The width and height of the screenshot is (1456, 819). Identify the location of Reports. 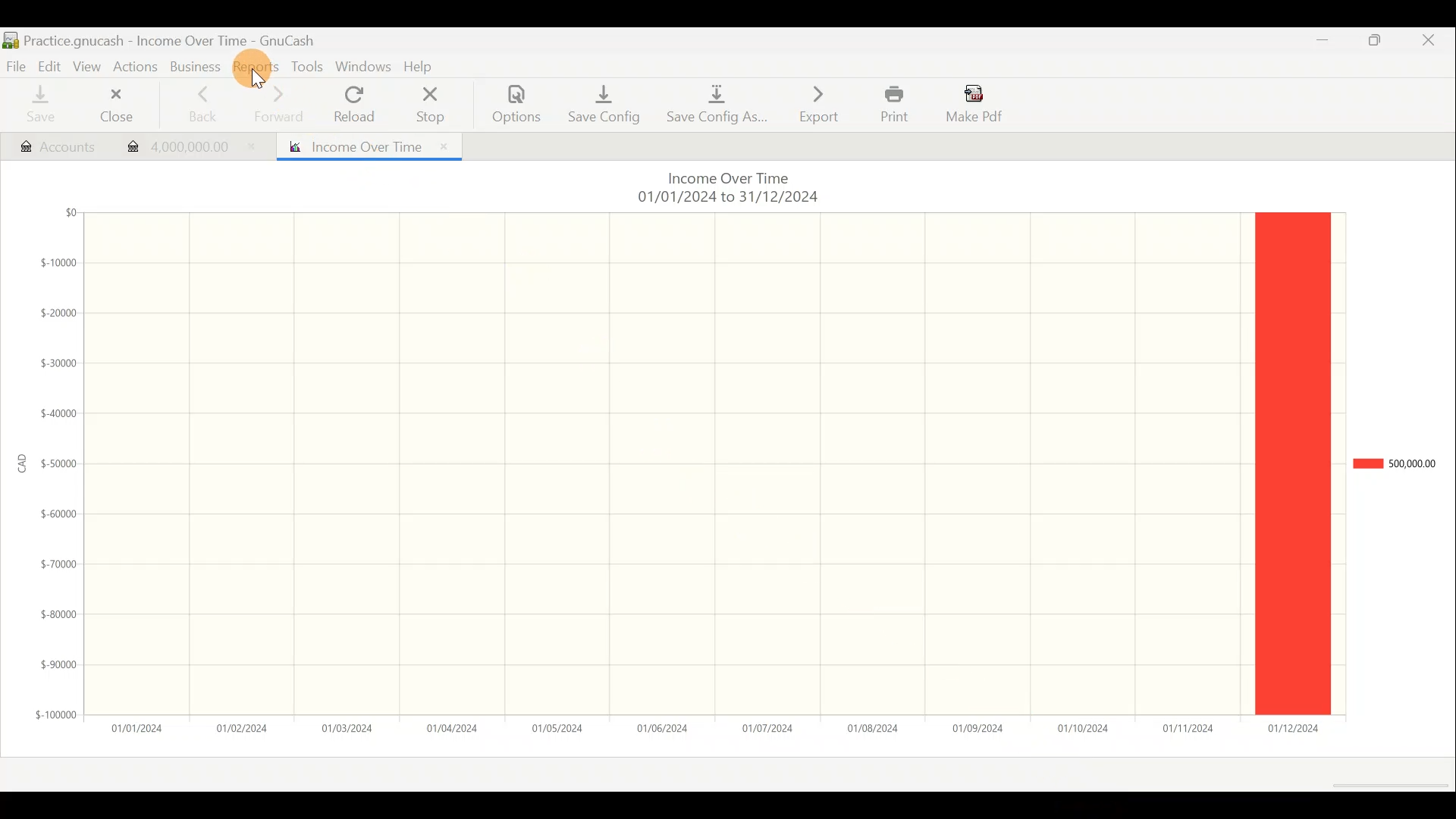
(254, 67).